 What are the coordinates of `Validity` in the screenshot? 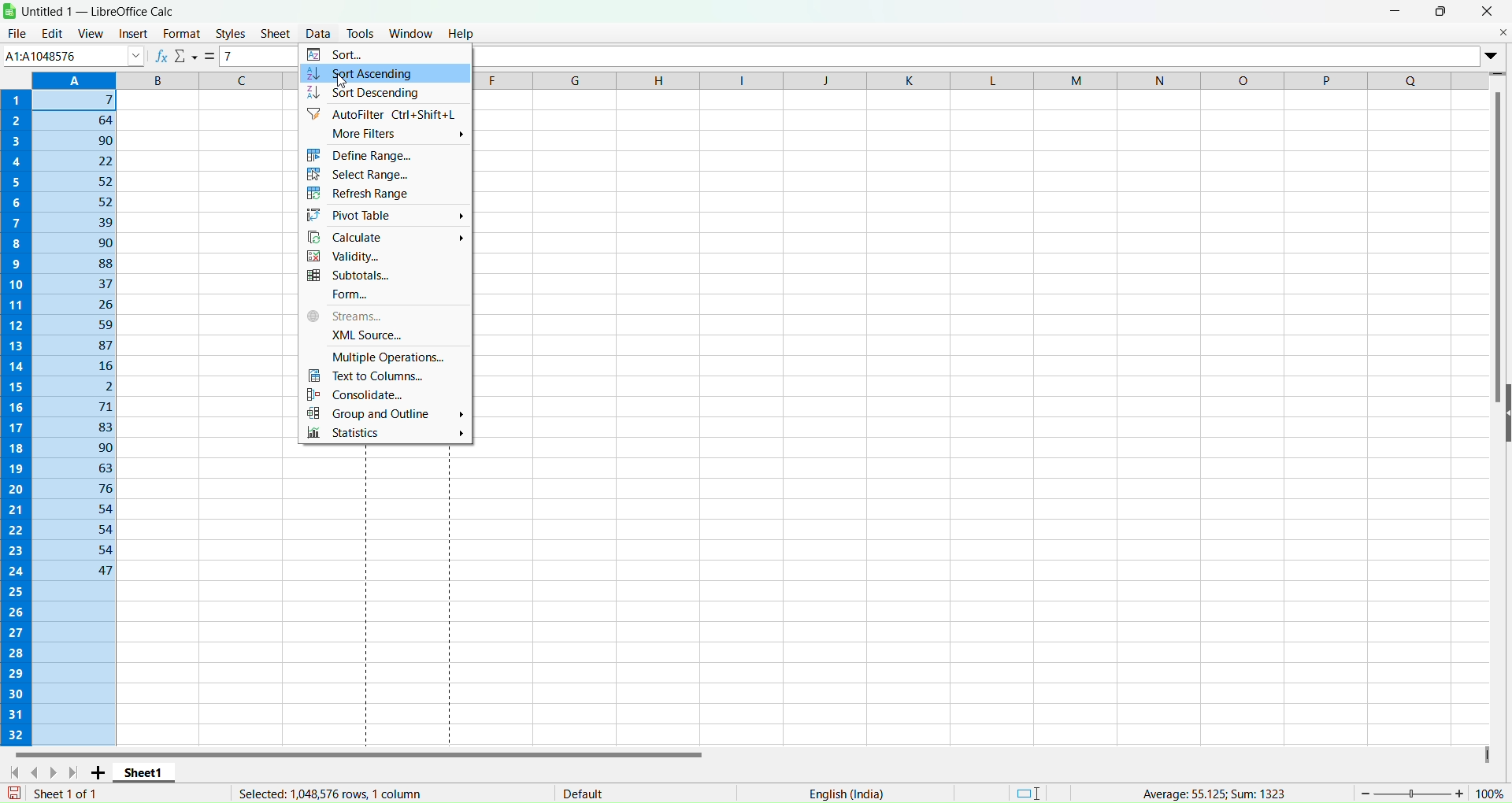 It's located at (386, 257).